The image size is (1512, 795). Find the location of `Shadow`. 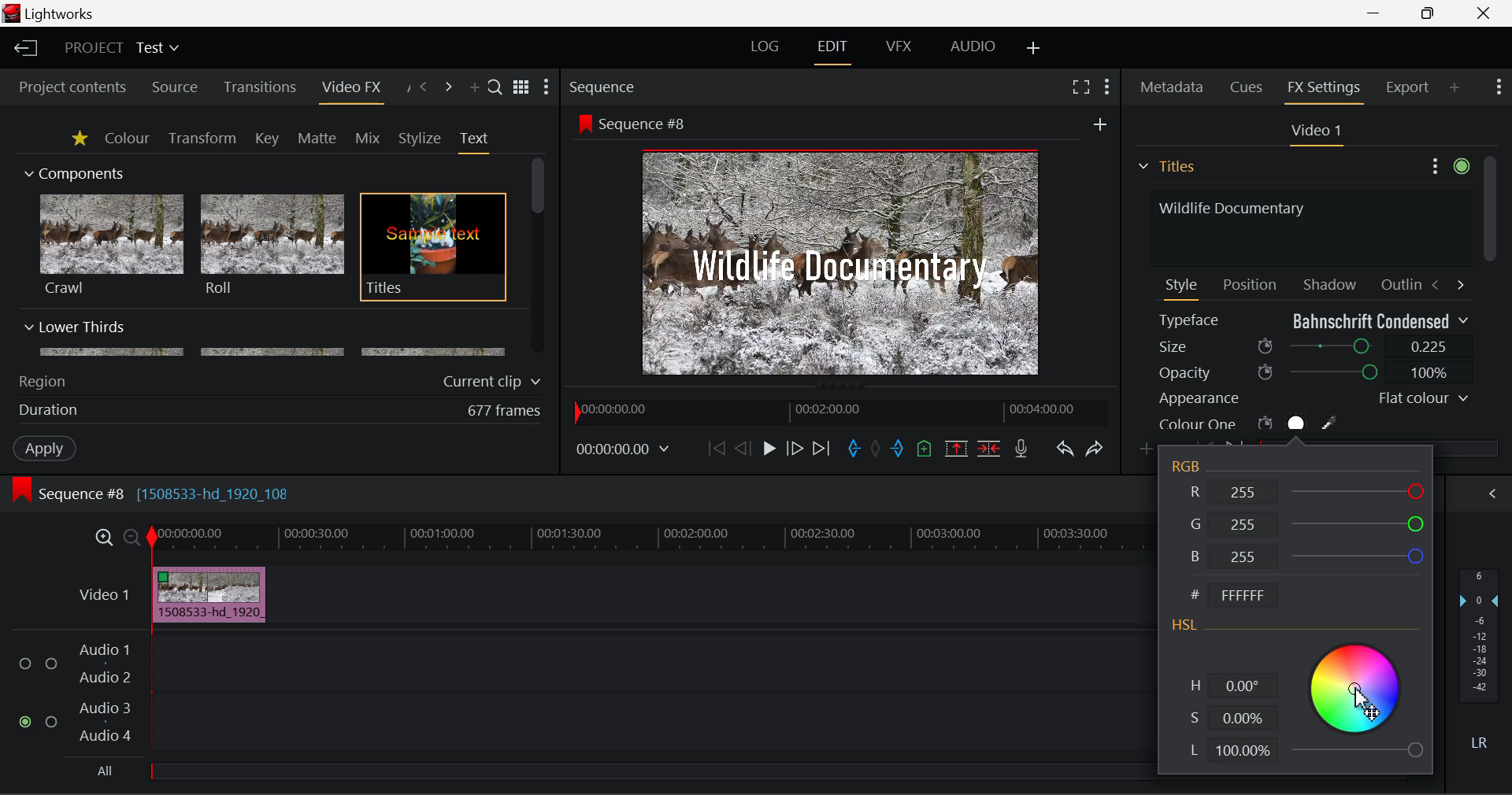

Shadow is located at coordinates (1331, 281).